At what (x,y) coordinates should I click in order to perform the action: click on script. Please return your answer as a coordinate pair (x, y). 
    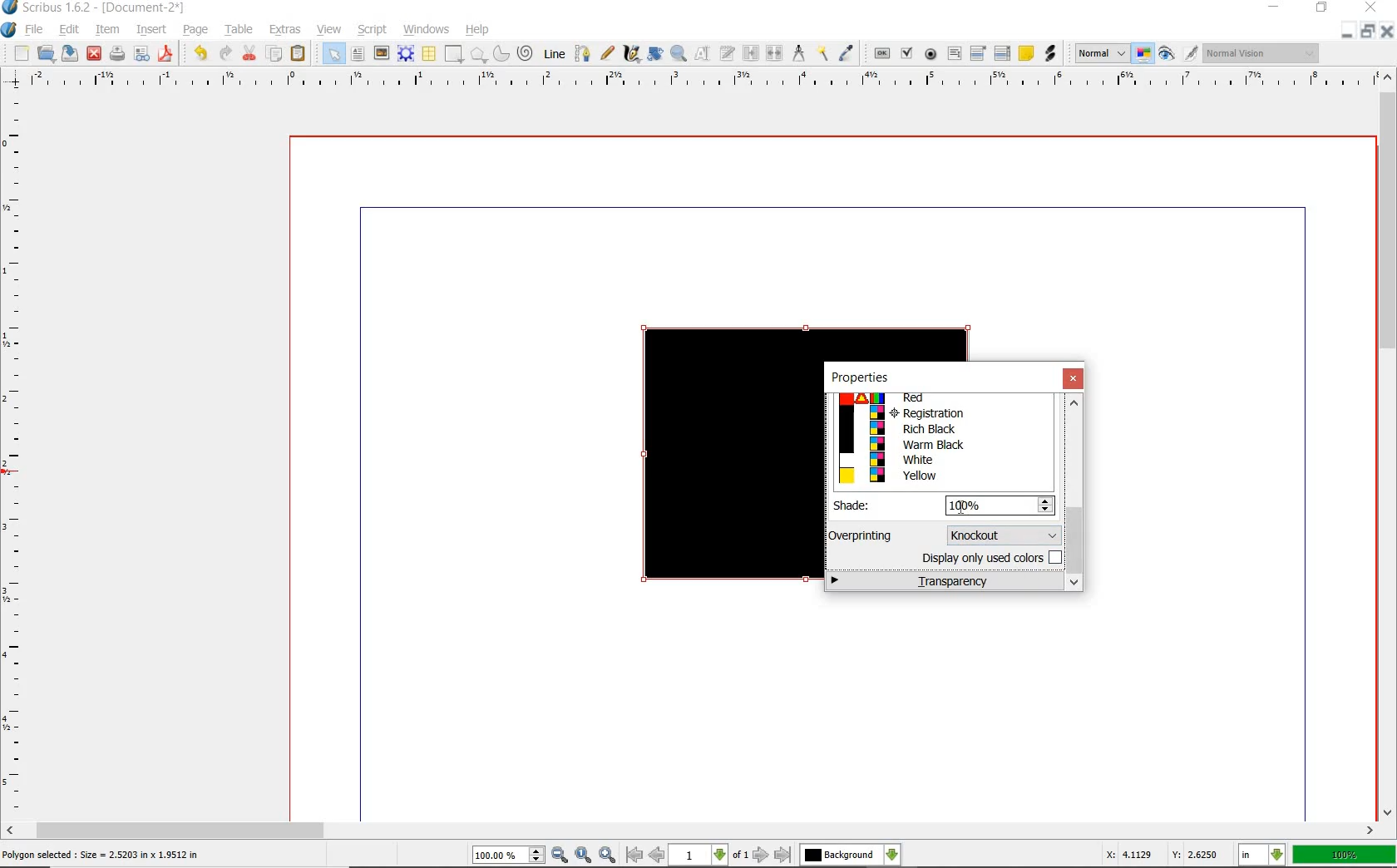
    Looking at the image, I should click on (373, 30).